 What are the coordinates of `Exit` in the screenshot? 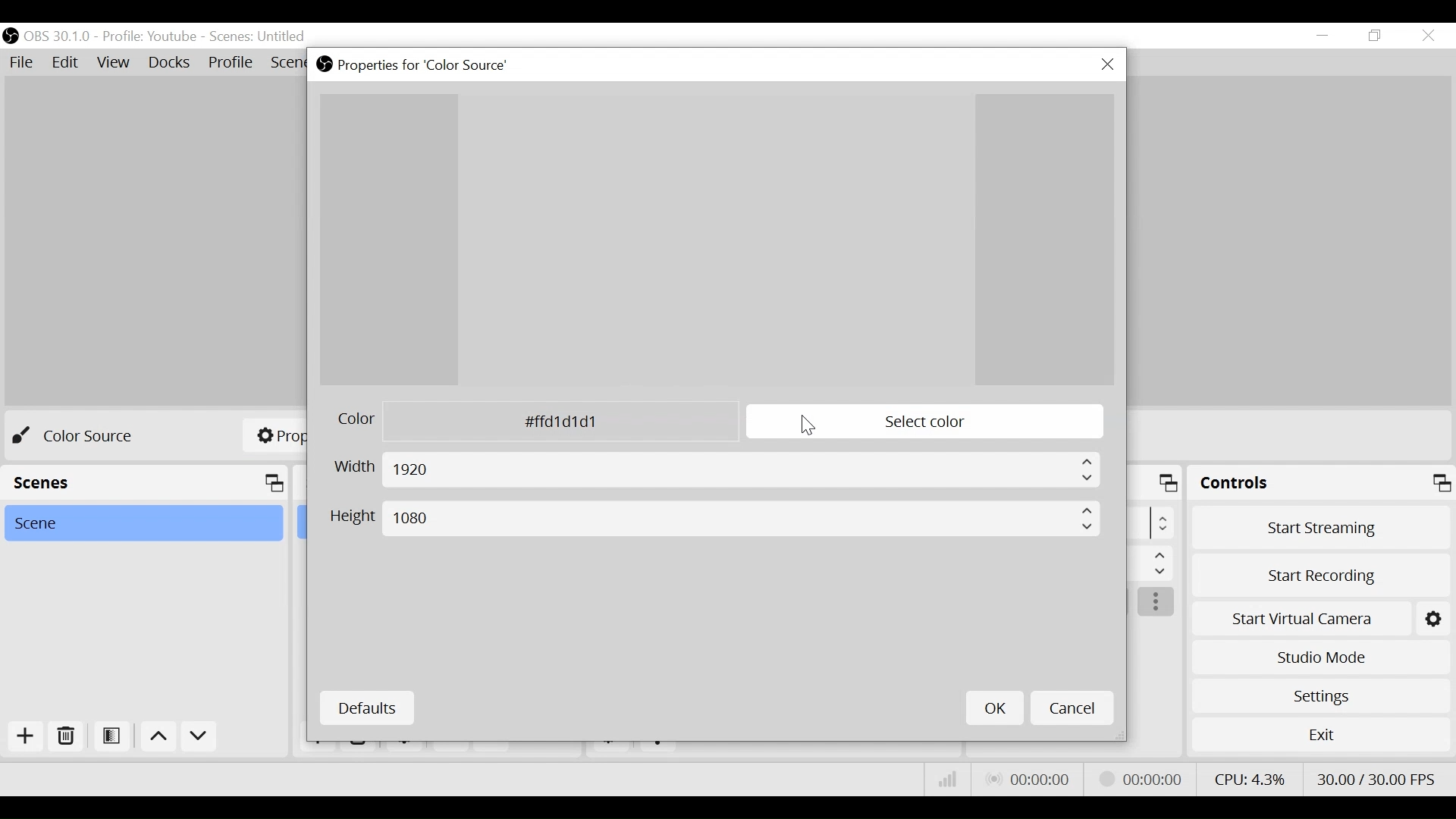 It's located at (1321, 739).